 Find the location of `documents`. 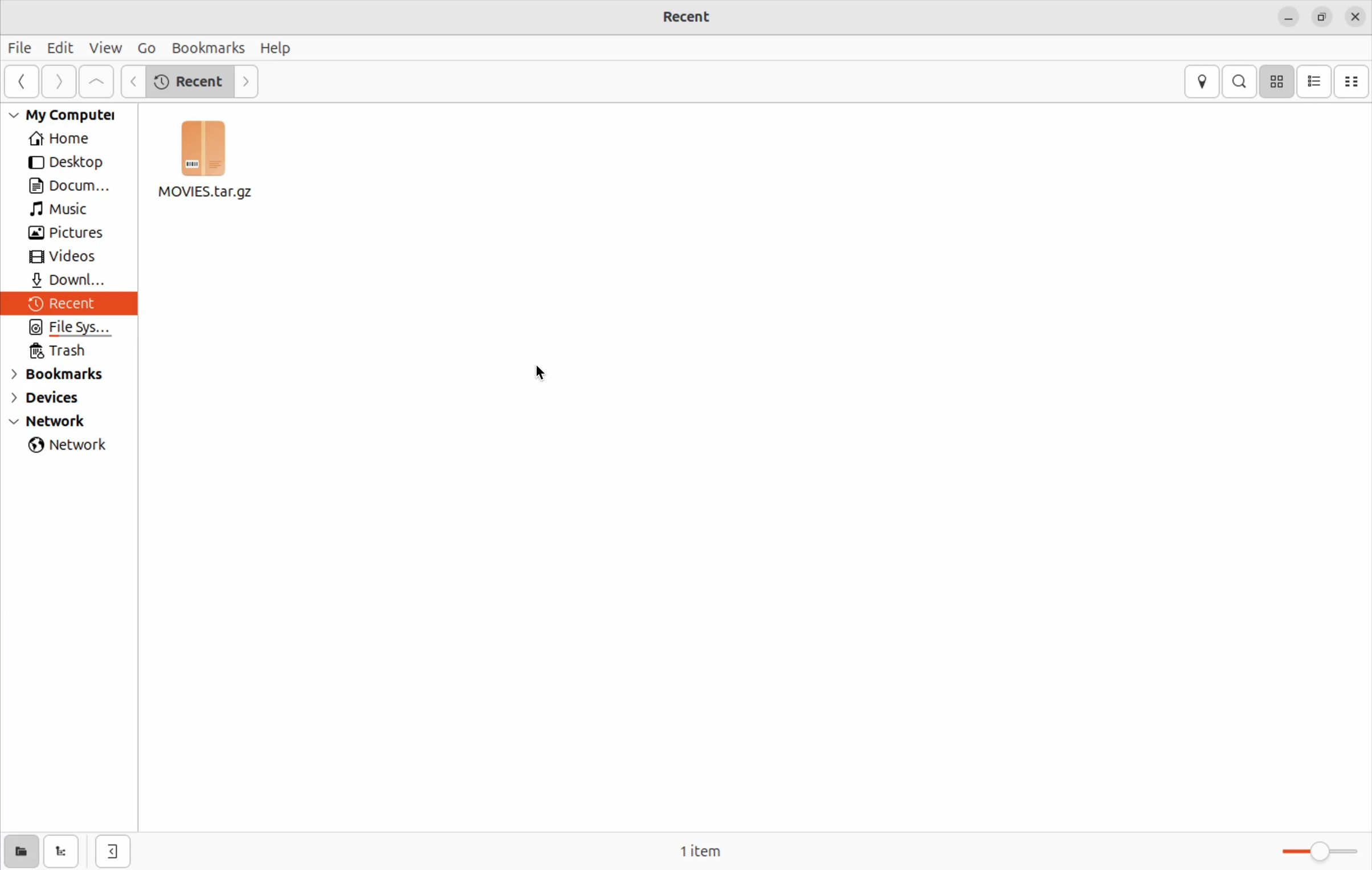

documents is located at coordinates (75, 186).